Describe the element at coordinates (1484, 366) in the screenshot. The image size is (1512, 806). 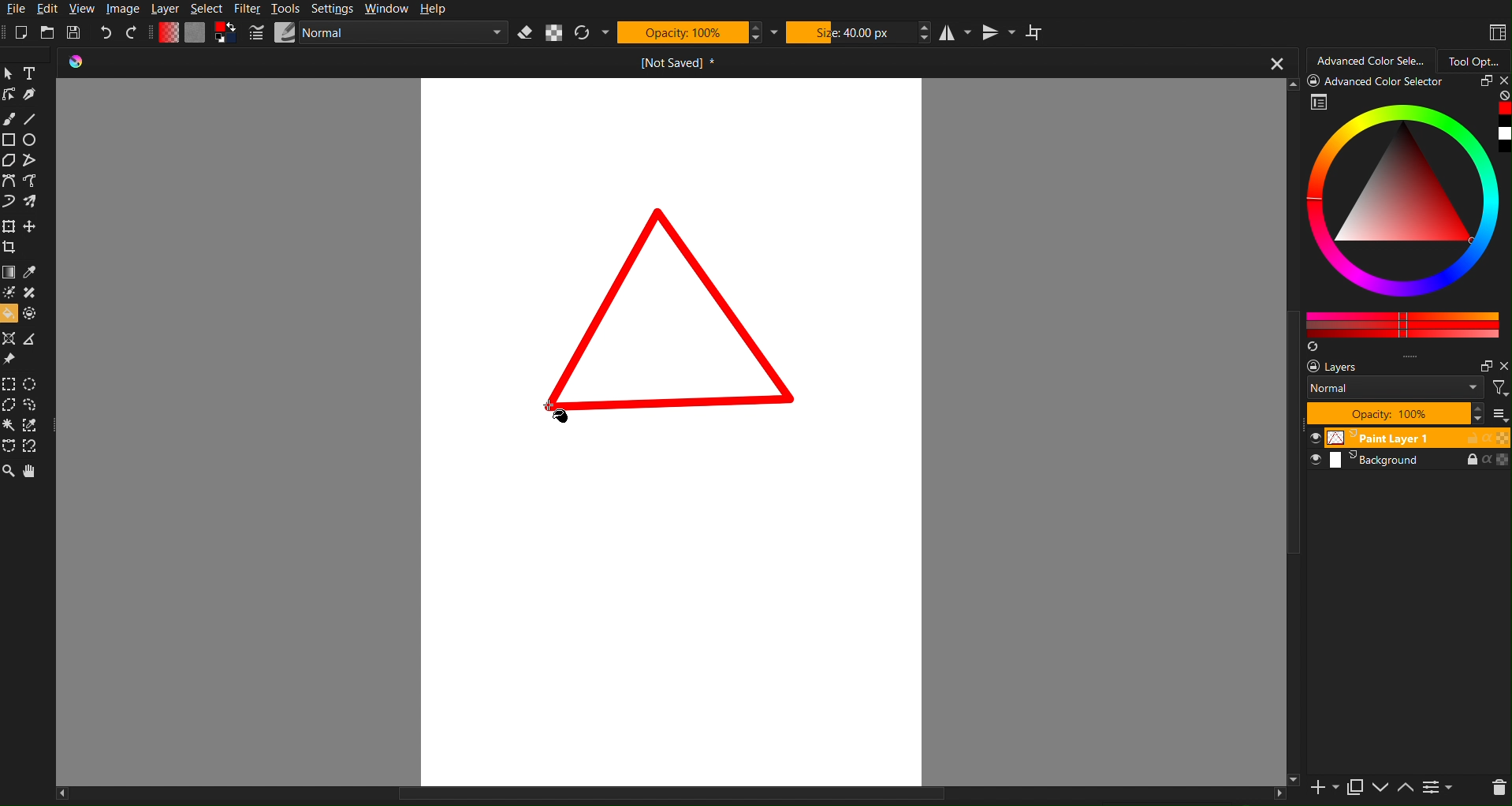
I see `restore panel` at that location.